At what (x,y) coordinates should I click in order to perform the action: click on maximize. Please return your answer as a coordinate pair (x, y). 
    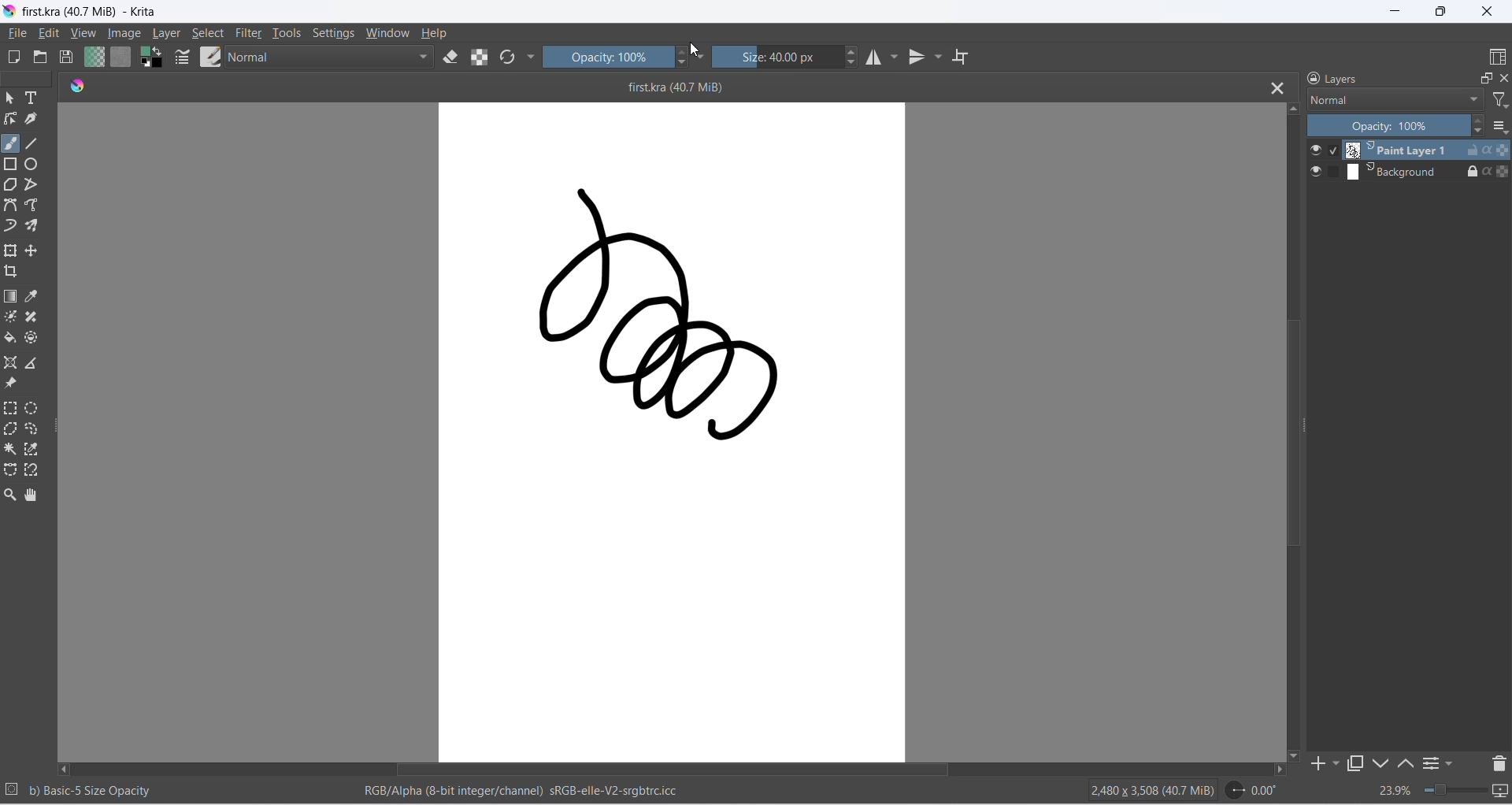
    Looking at the image, I should click on (1440, 11).